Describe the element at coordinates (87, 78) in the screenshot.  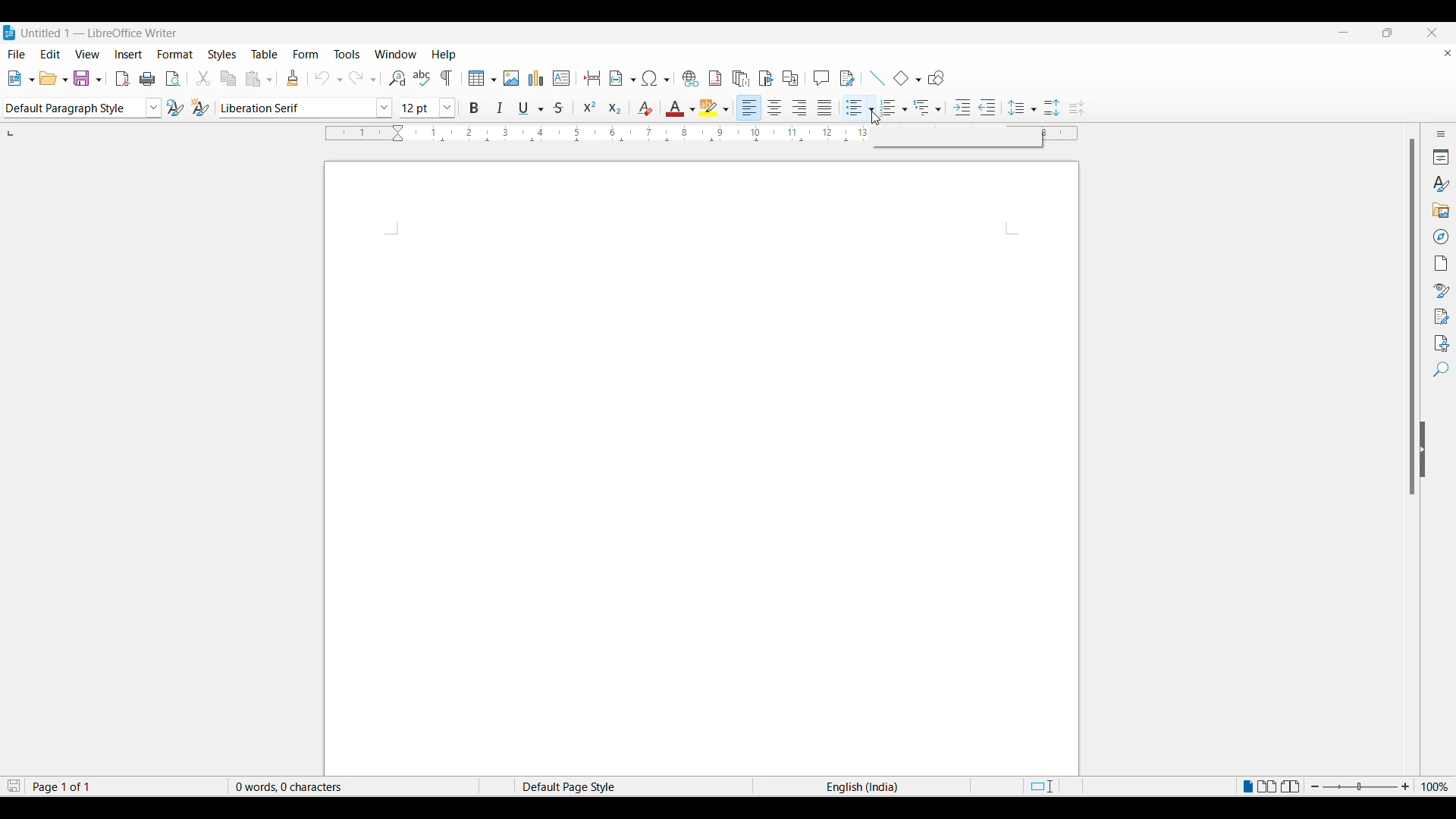
I see `save document` at that location.